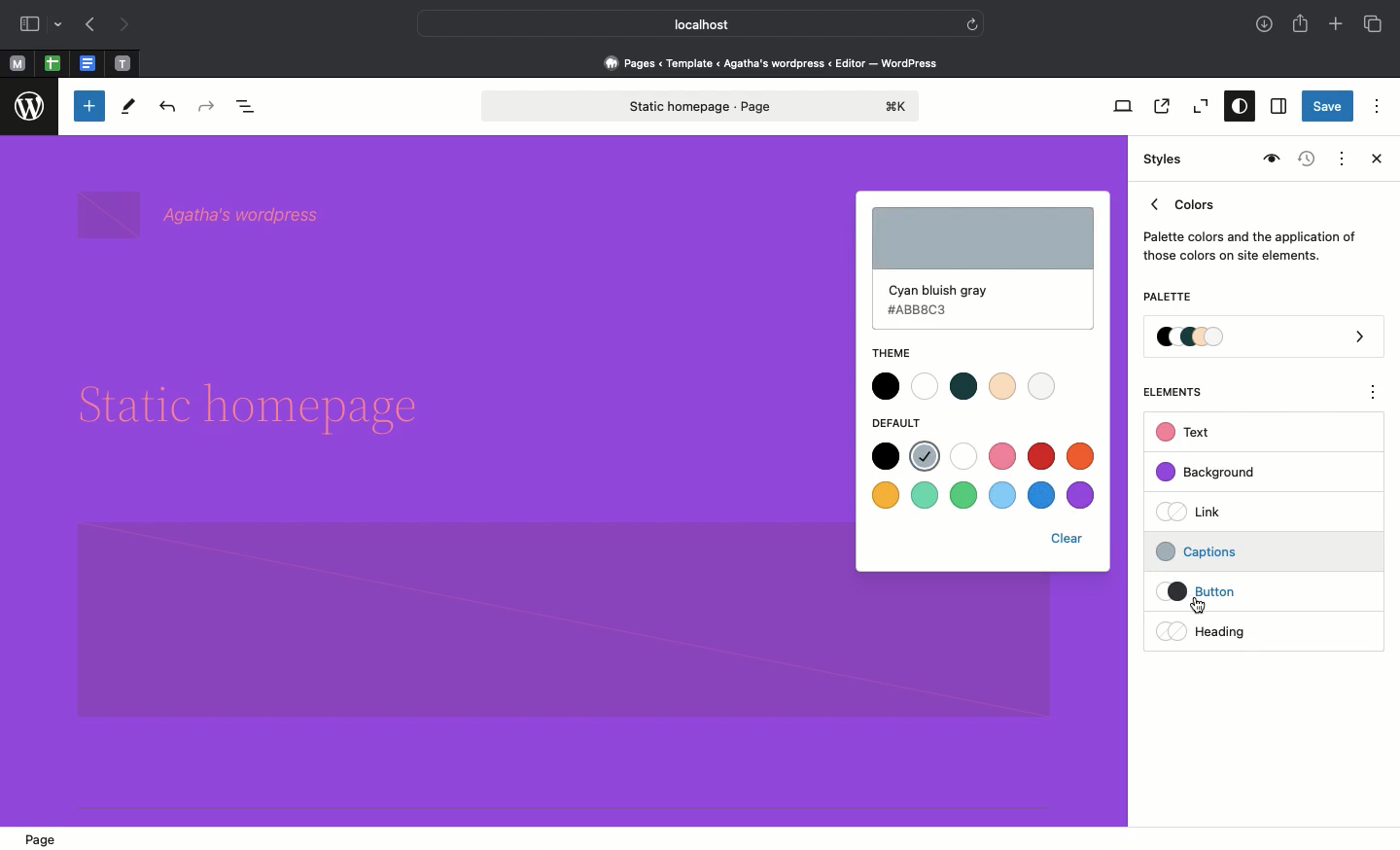 This screenshot has width=1400, height=850. What do you see at coordinates (686, 23) in the screenshot?
I see `Local host` at bounding box center [686, 23].